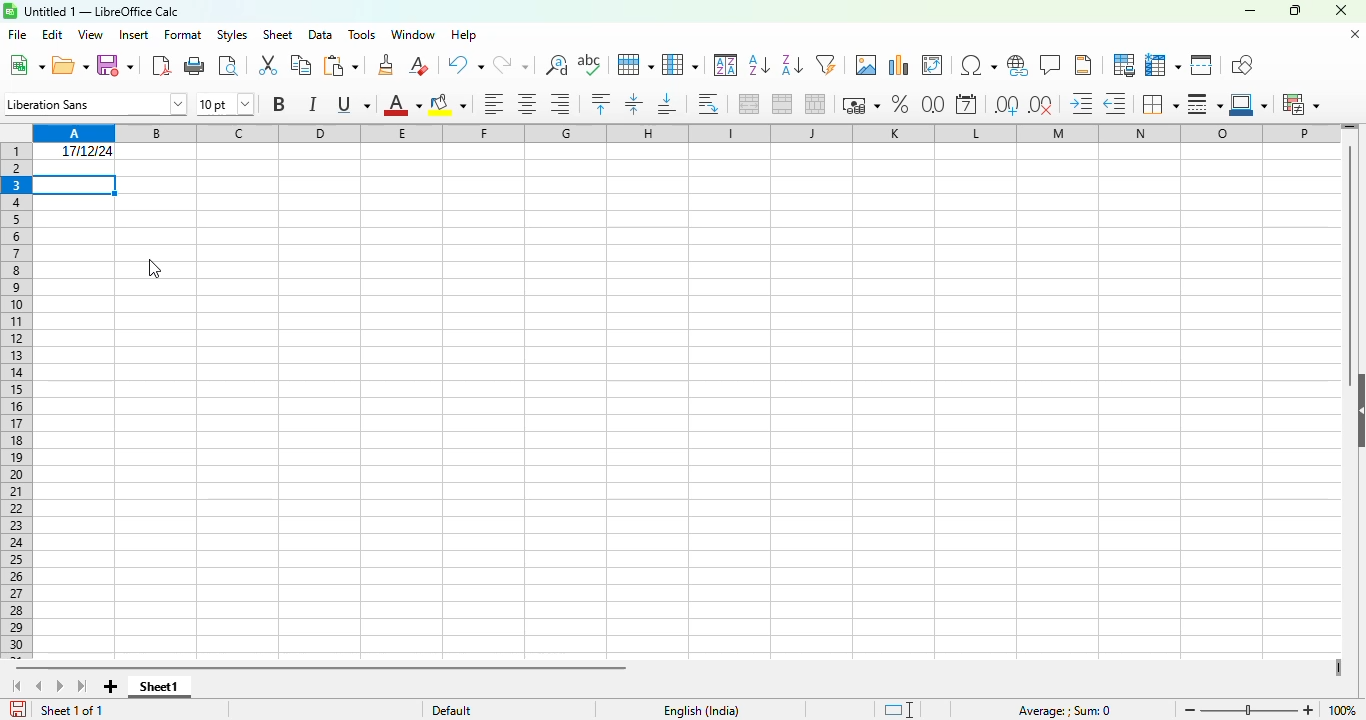 This screenshot has height=720, width=1366. I want to click on show draw functions, so click(1240, 64).